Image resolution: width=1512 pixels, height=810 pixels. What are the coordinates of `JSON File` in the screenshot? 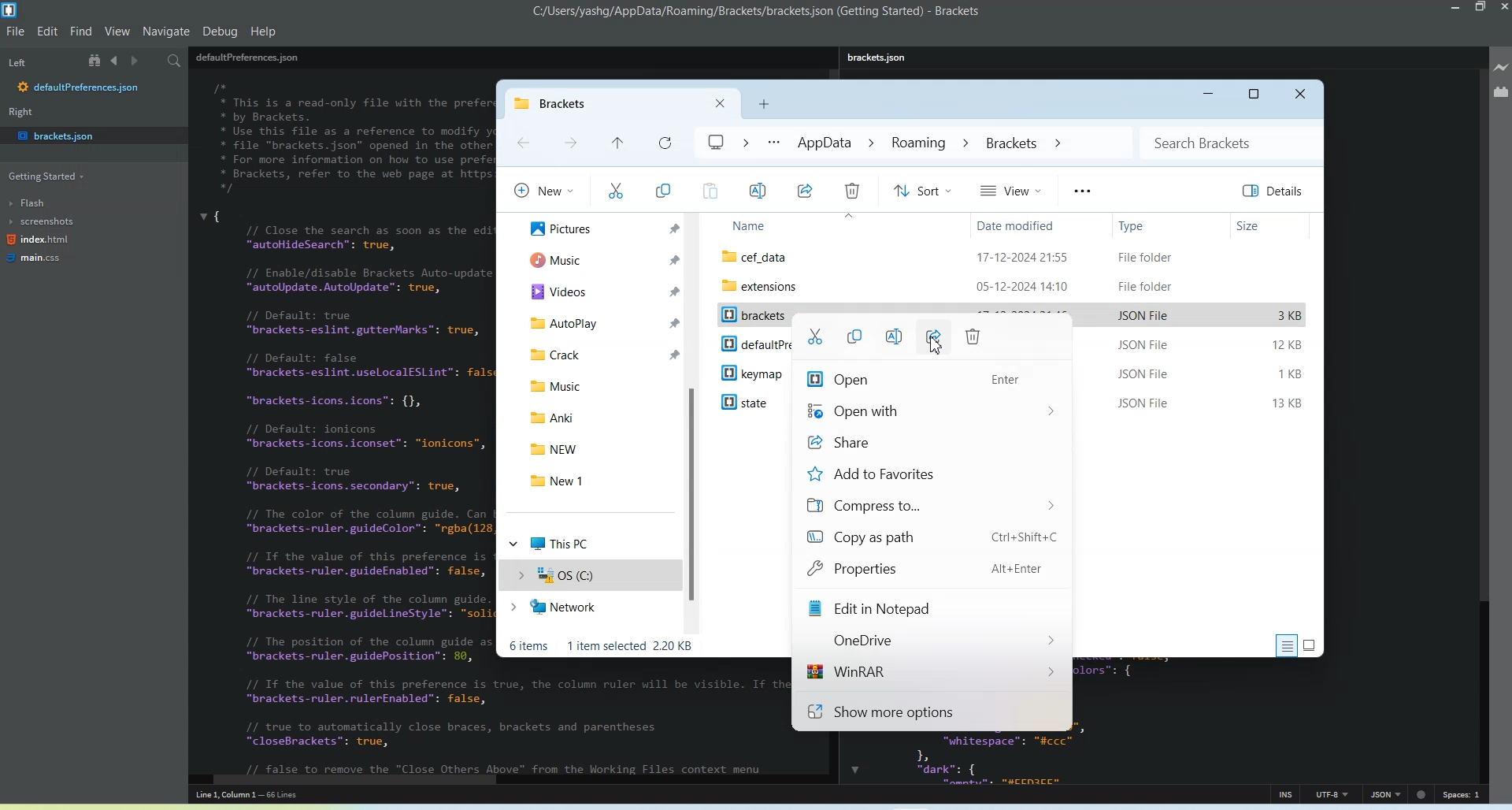 It's located at (1143, 315).